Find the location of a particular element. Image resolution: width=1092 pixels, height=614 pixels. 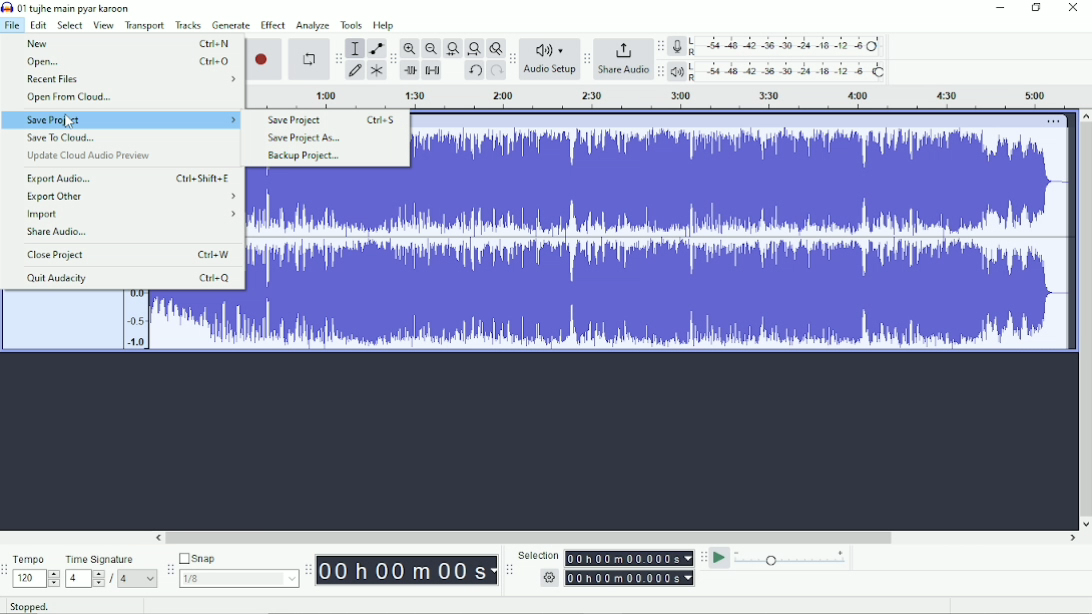

Analyze is located at coordinates (313, 25).